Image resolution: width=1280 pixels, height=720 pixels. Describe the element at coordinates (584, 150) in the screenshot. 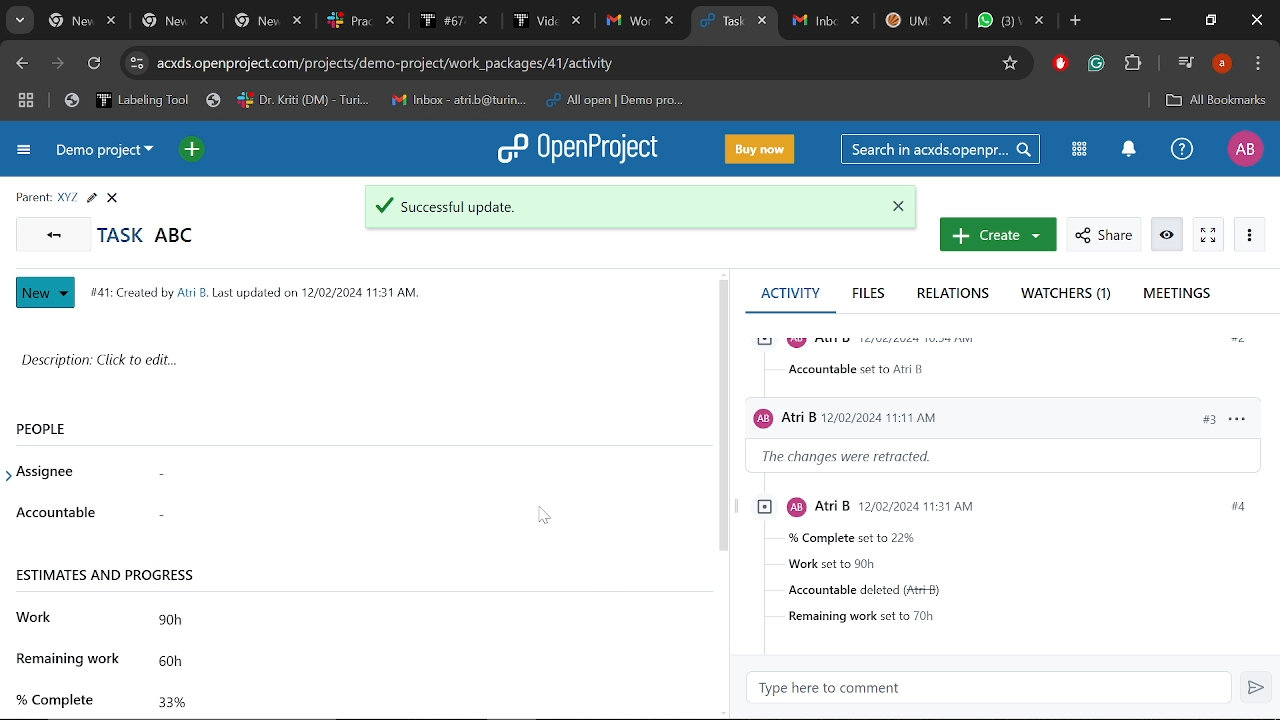

I see `Open project logo` at that location.